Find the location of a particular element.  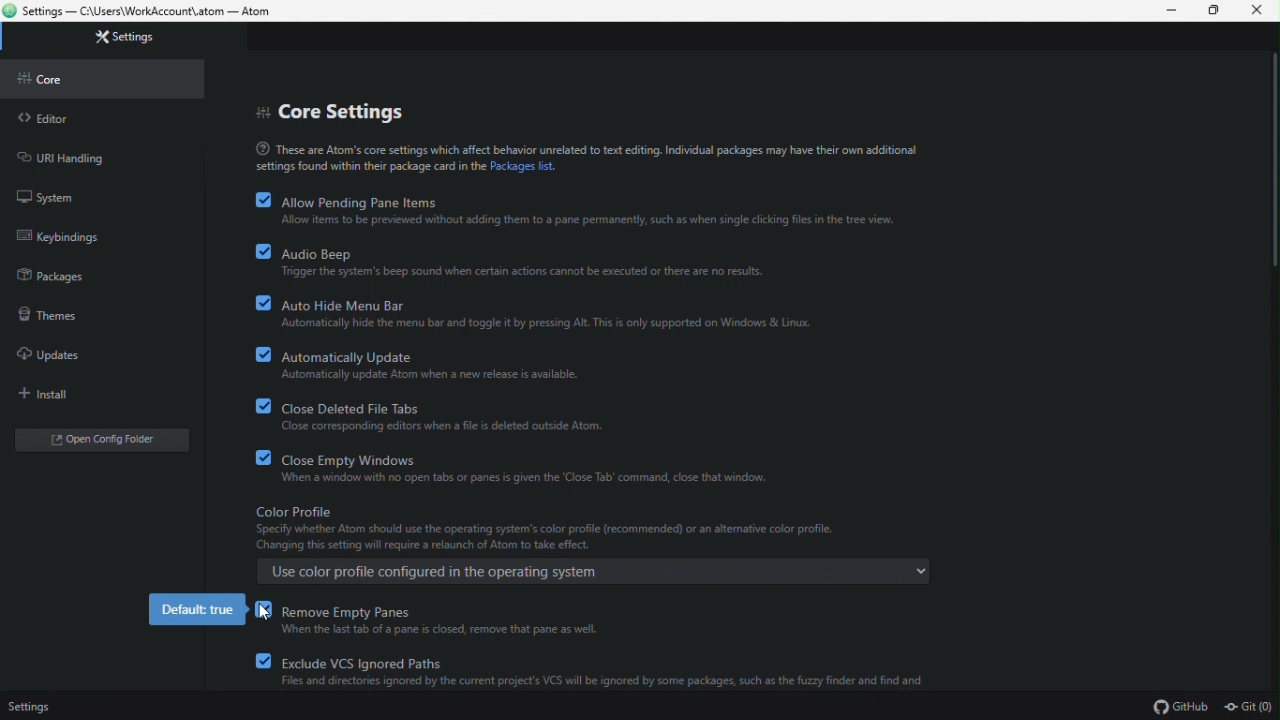

file name and file path is located at coordinates (155, 13).